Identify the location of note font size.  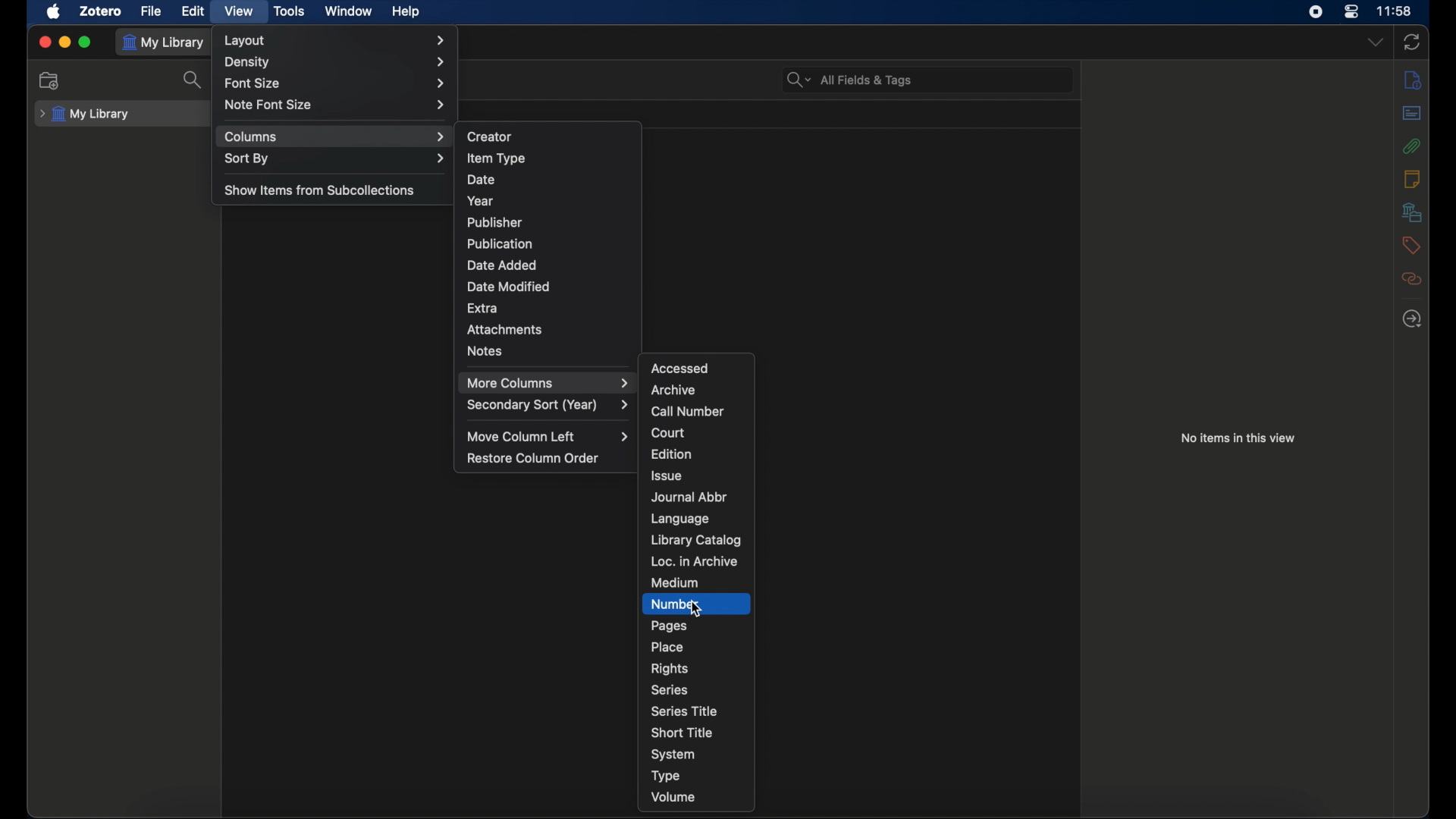
(337, 105).